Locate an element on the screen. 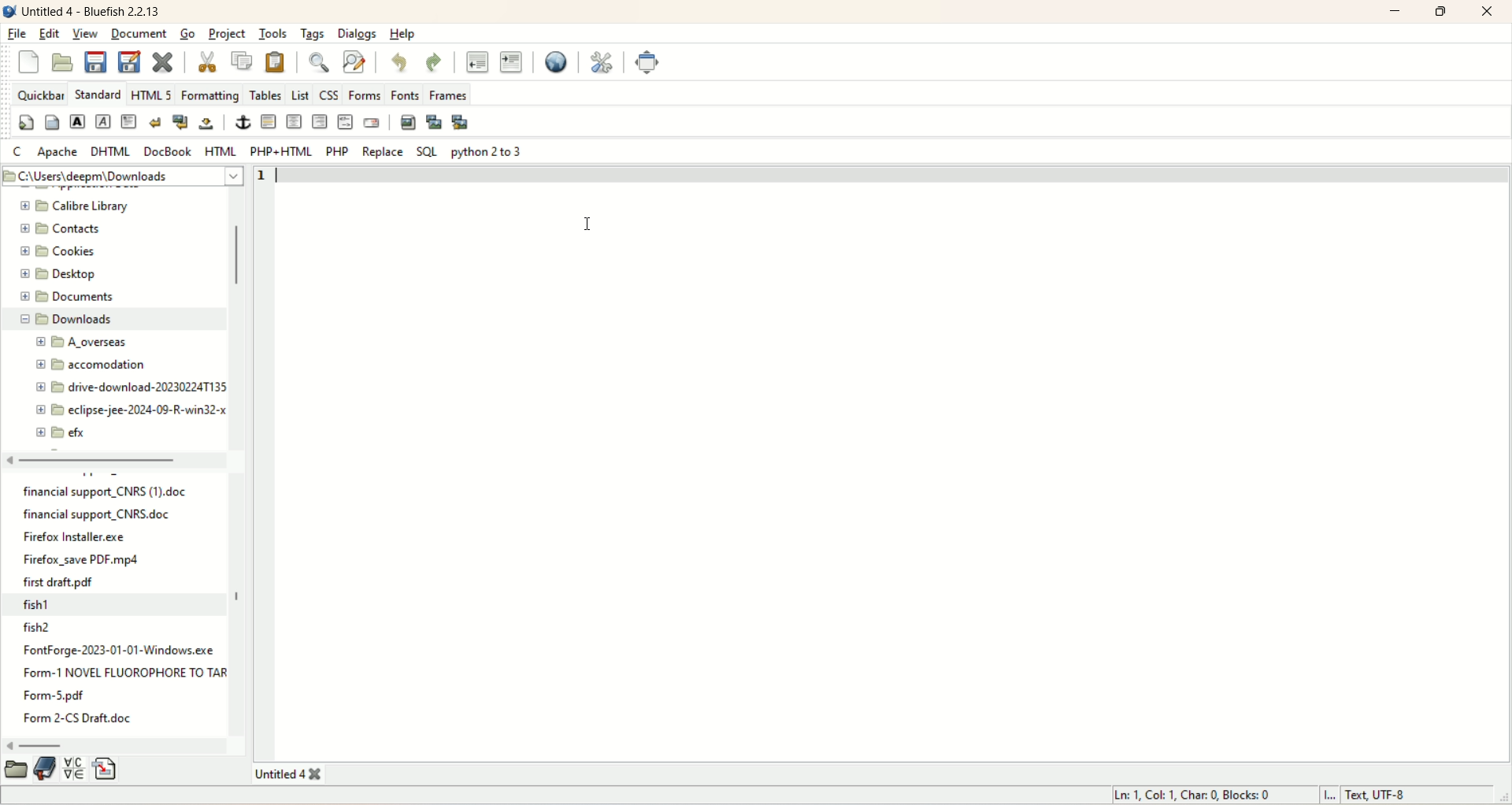 This screenshot has width=1512, height=805. insertion cursor is located at coordinates (589, 224).